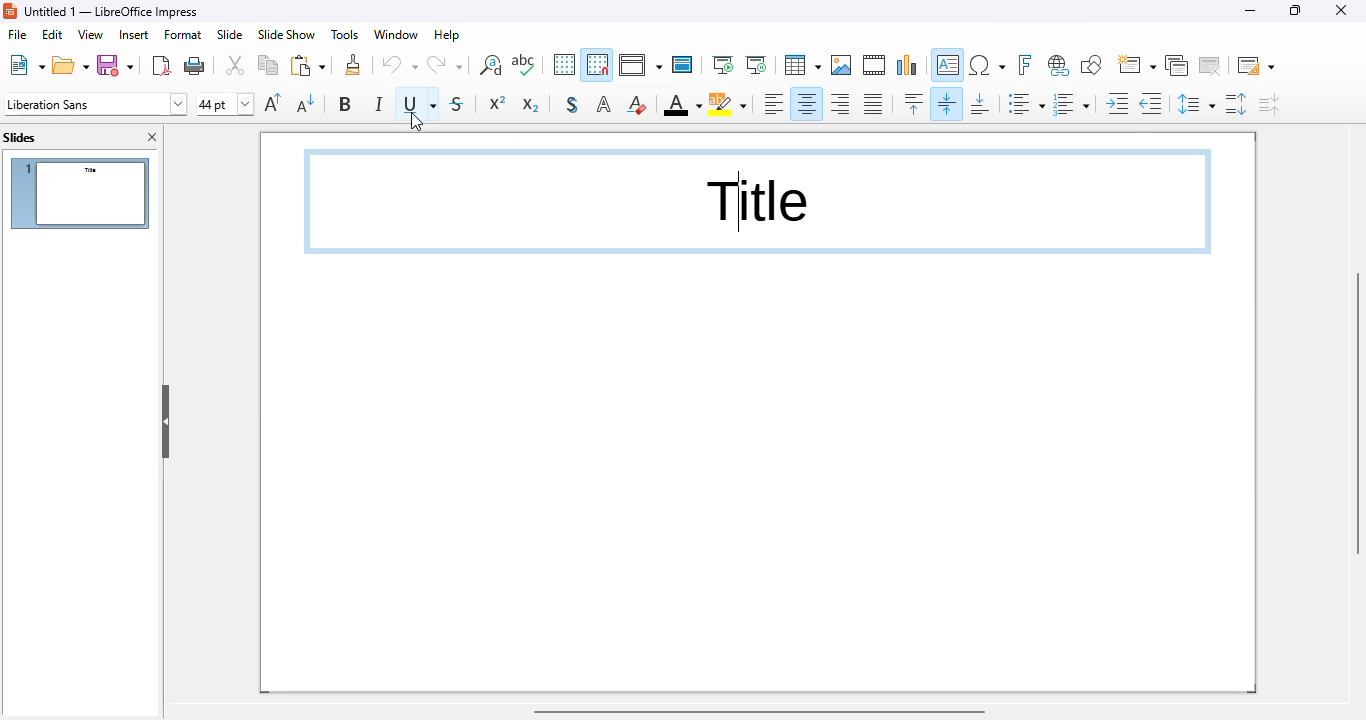 This screenshot has height=720, width=1366. I want to click on align left, so click(773, 103).